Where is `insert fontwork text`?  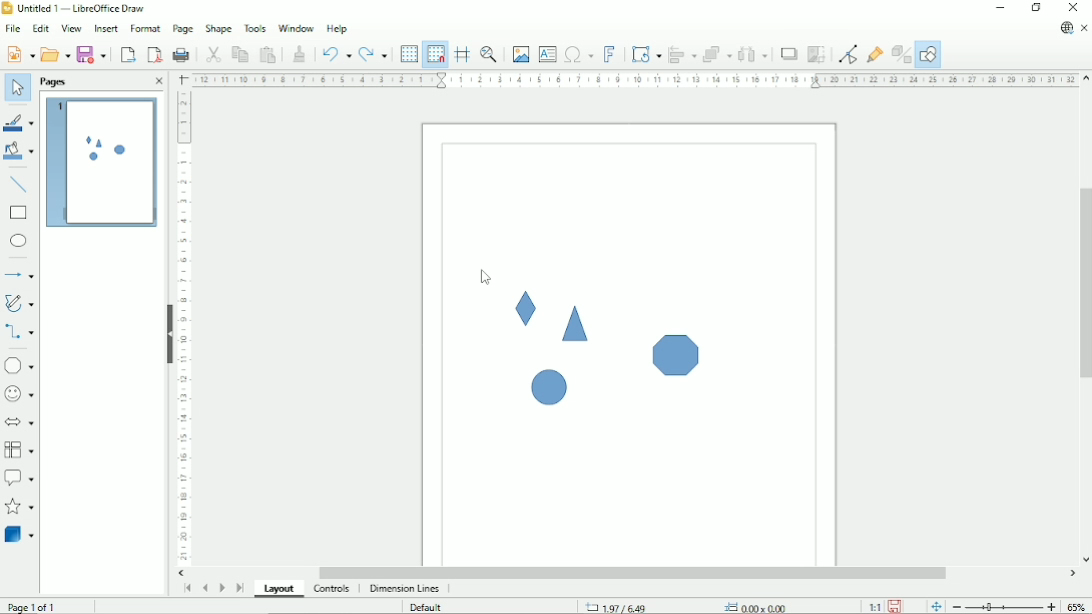 insert fontwork text is located at coordinates (610, 54).